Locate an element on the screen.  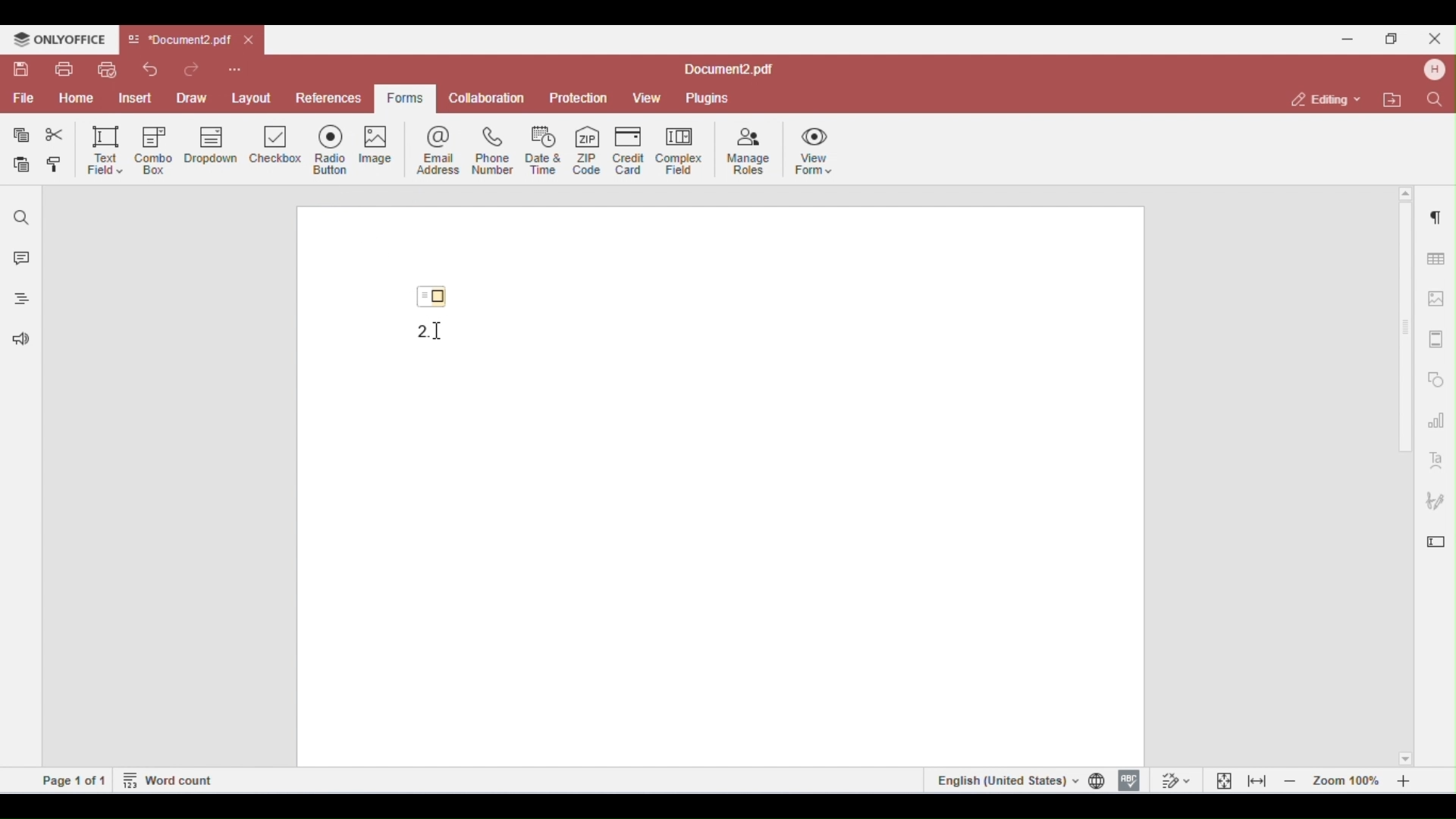
minimize is located at coordinates (1348, 37).